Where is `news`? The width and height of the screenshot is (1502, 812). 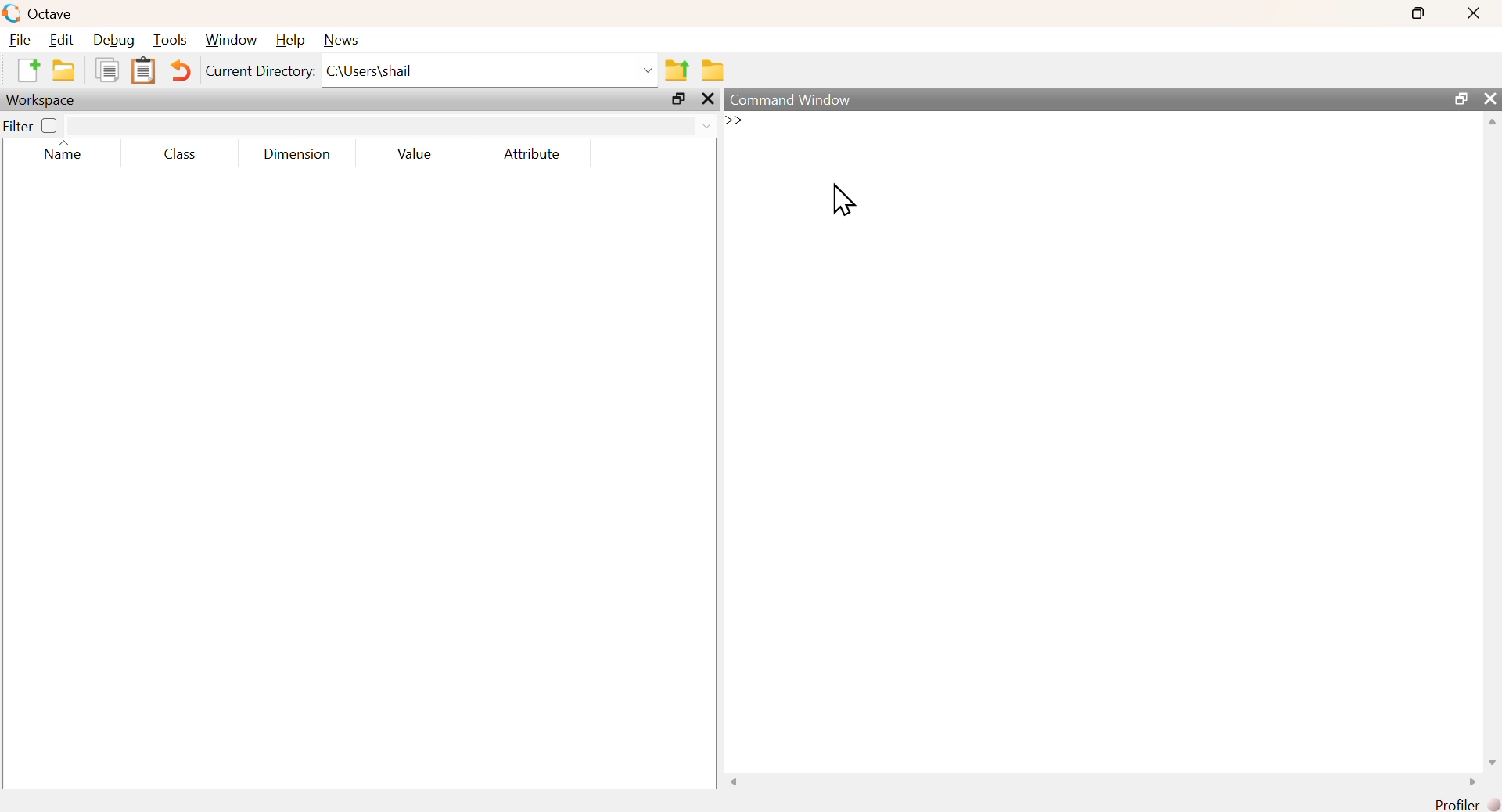
news is located at coordinates (341, 39).